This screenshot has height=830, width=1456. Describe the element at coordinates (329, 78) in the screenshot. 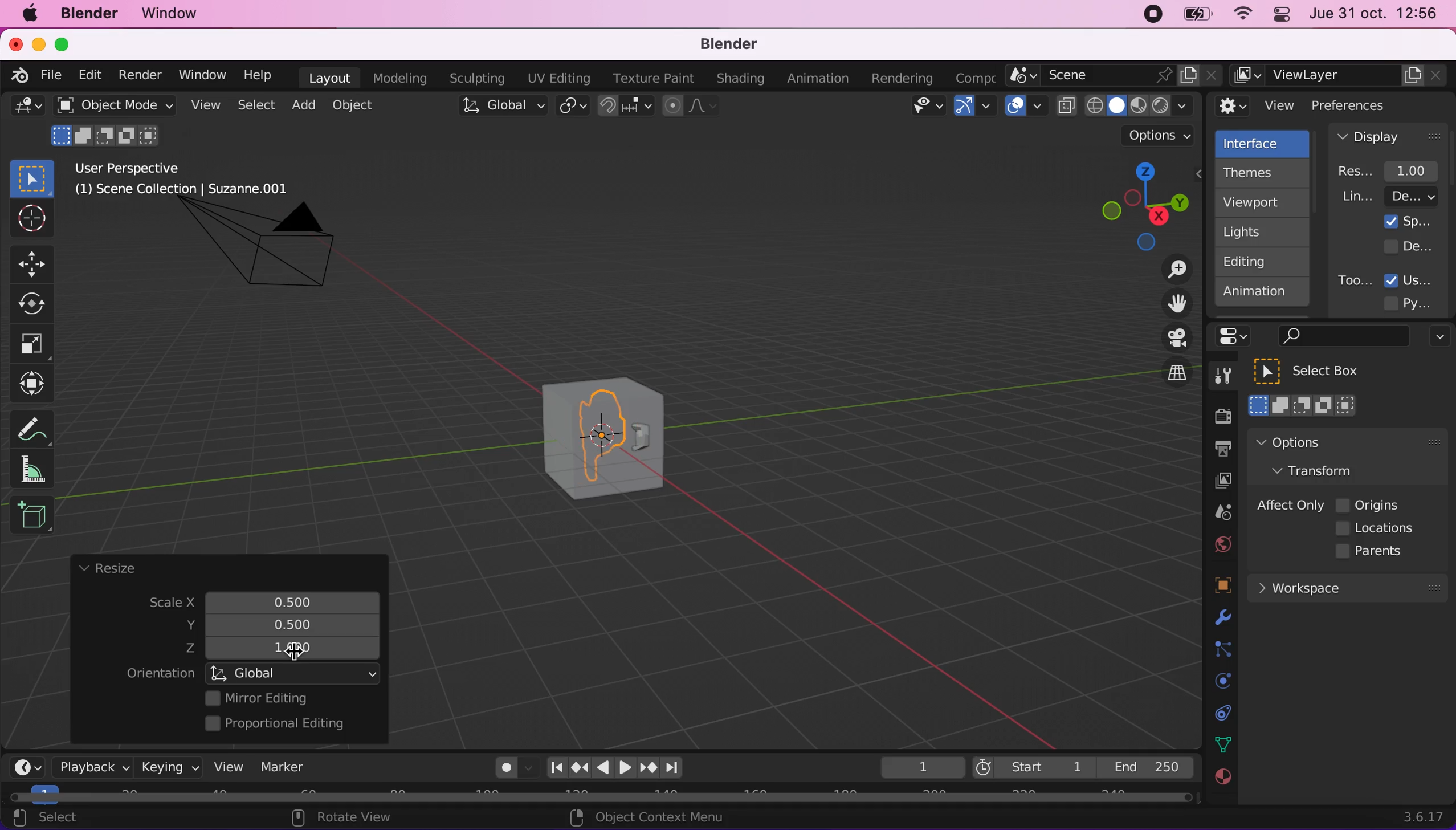

I see `layout` at that location.